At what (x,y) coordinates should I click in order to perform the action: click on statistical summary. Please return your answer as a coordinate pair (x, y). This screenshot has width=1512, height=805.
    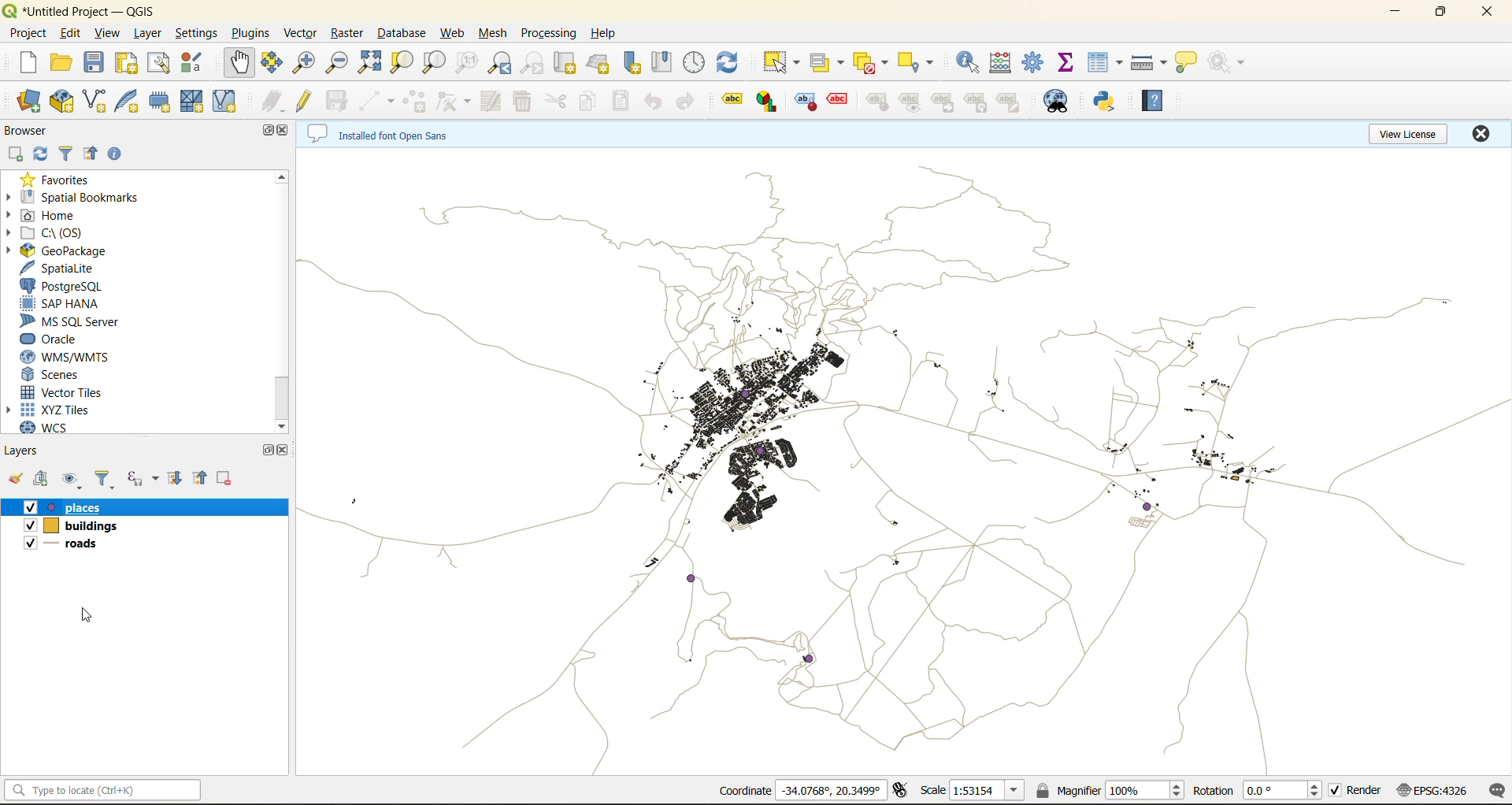
    Looking at the image, I should click on (1069, 63).